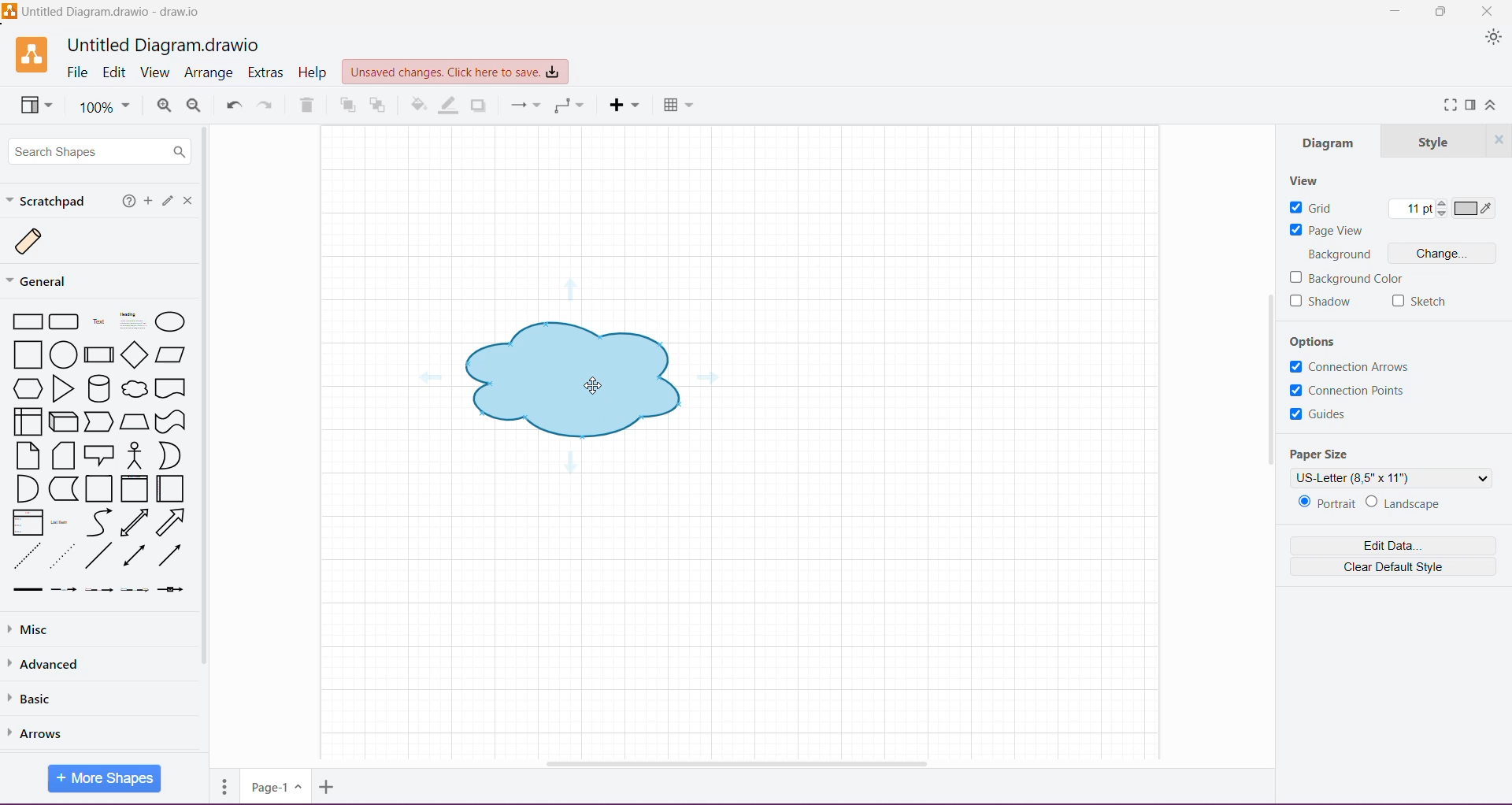 This screenshot has width=1512, height=805. I want to click on Extras, so click(267, 72).